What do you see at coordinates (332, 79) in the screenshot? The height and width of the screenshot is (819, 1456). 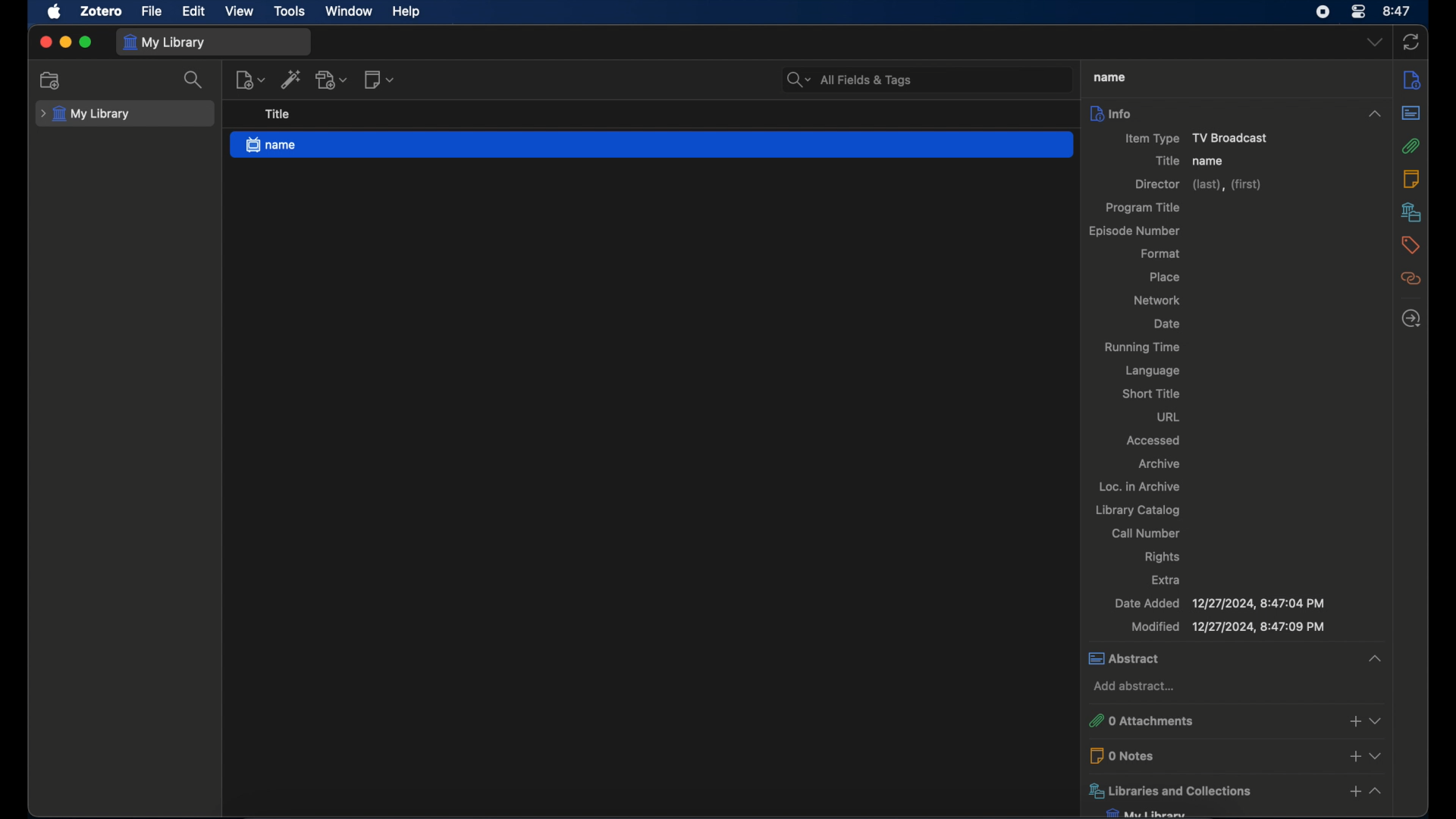 I see `add attachment` at bounding box center [332, 79].